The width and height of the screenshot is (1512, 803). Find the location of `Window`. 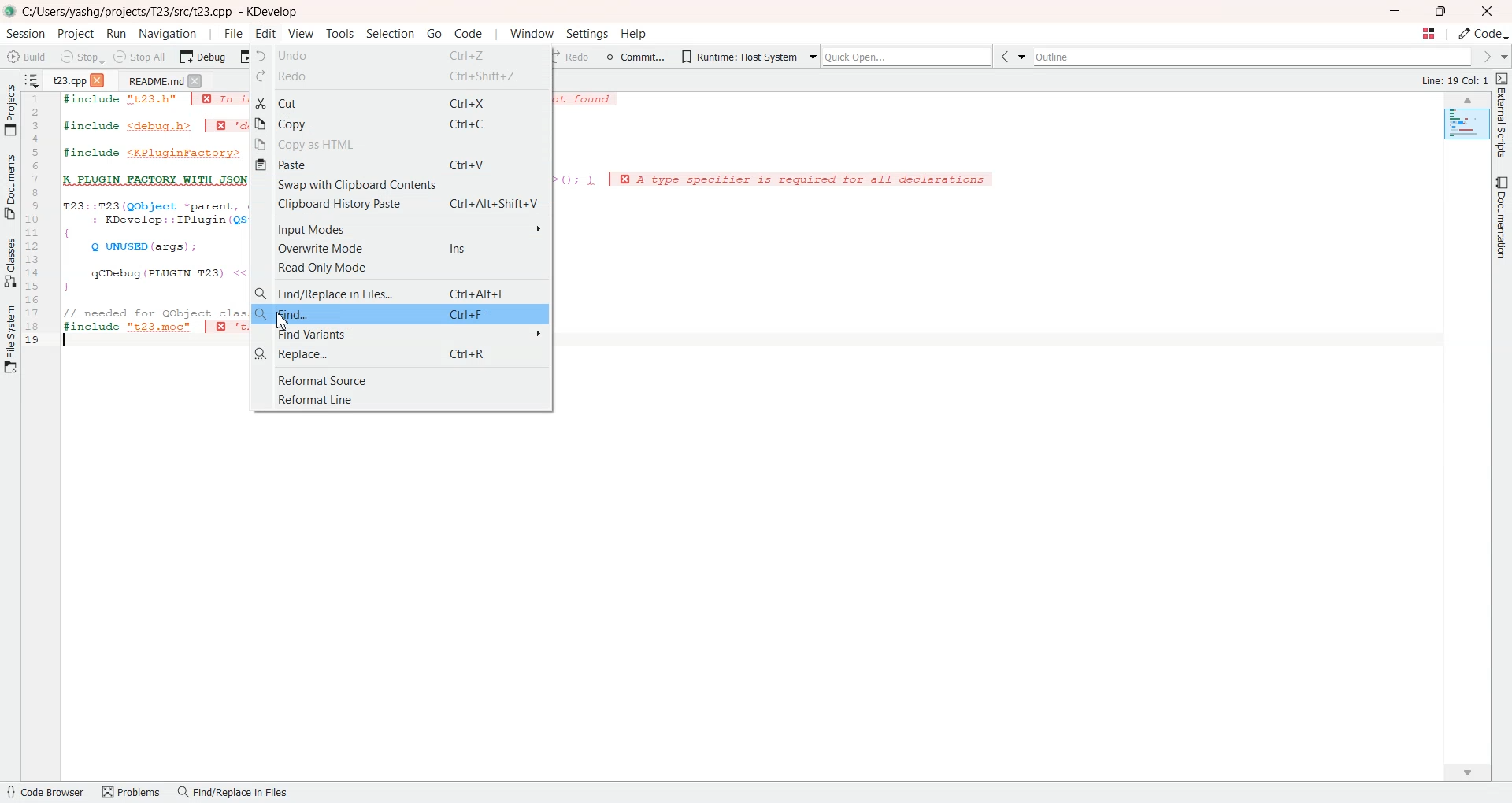

Window is located at coordinates (532, 34).